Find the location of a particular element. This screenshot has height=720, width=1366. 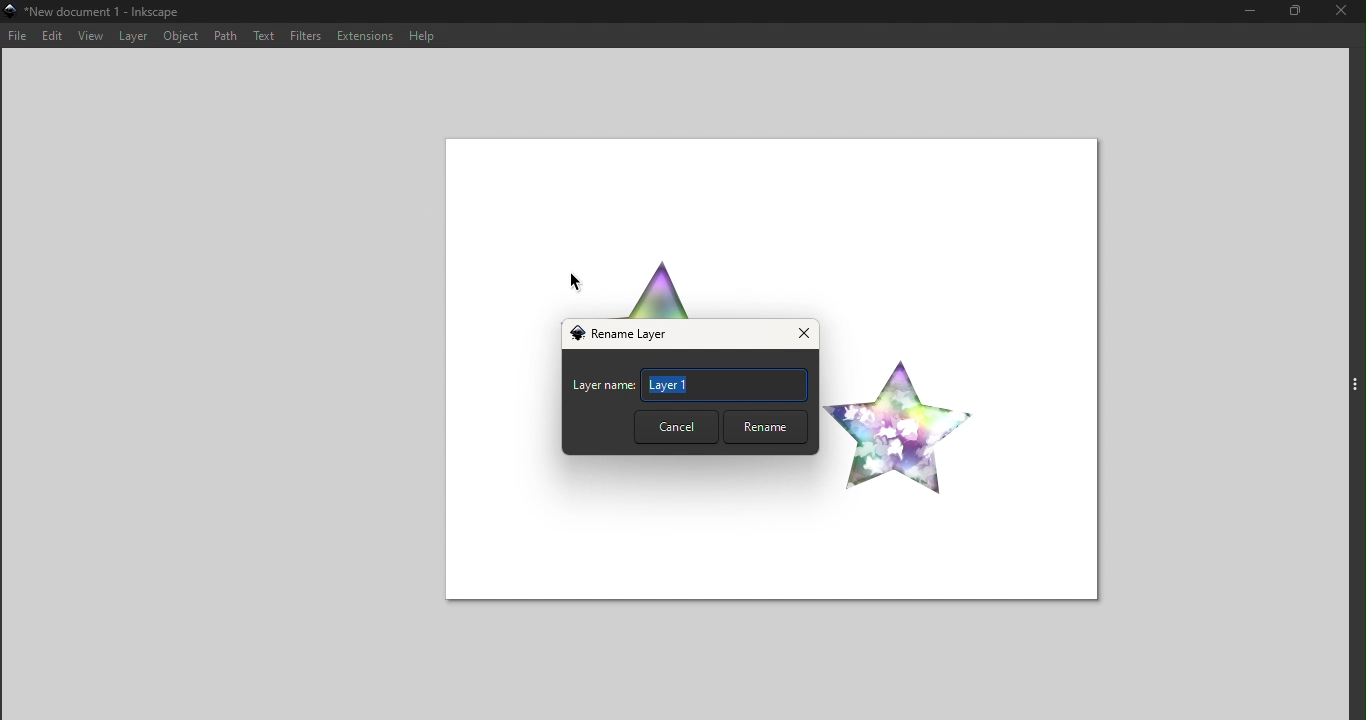

New document 1 - Inkscape is located at coordinates (96, 13).